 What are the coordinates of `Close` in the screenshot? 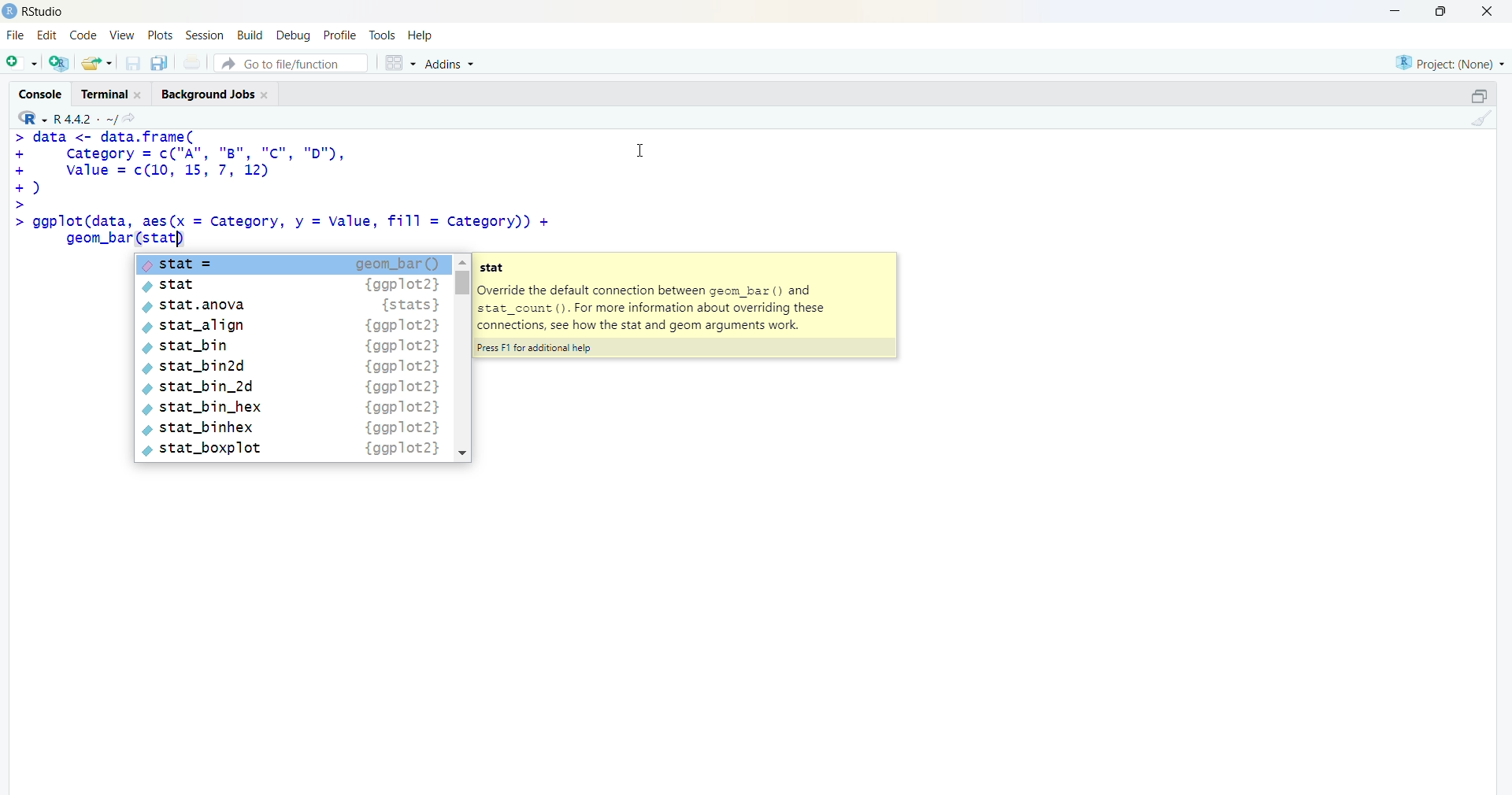 It's located at (1484, 11).